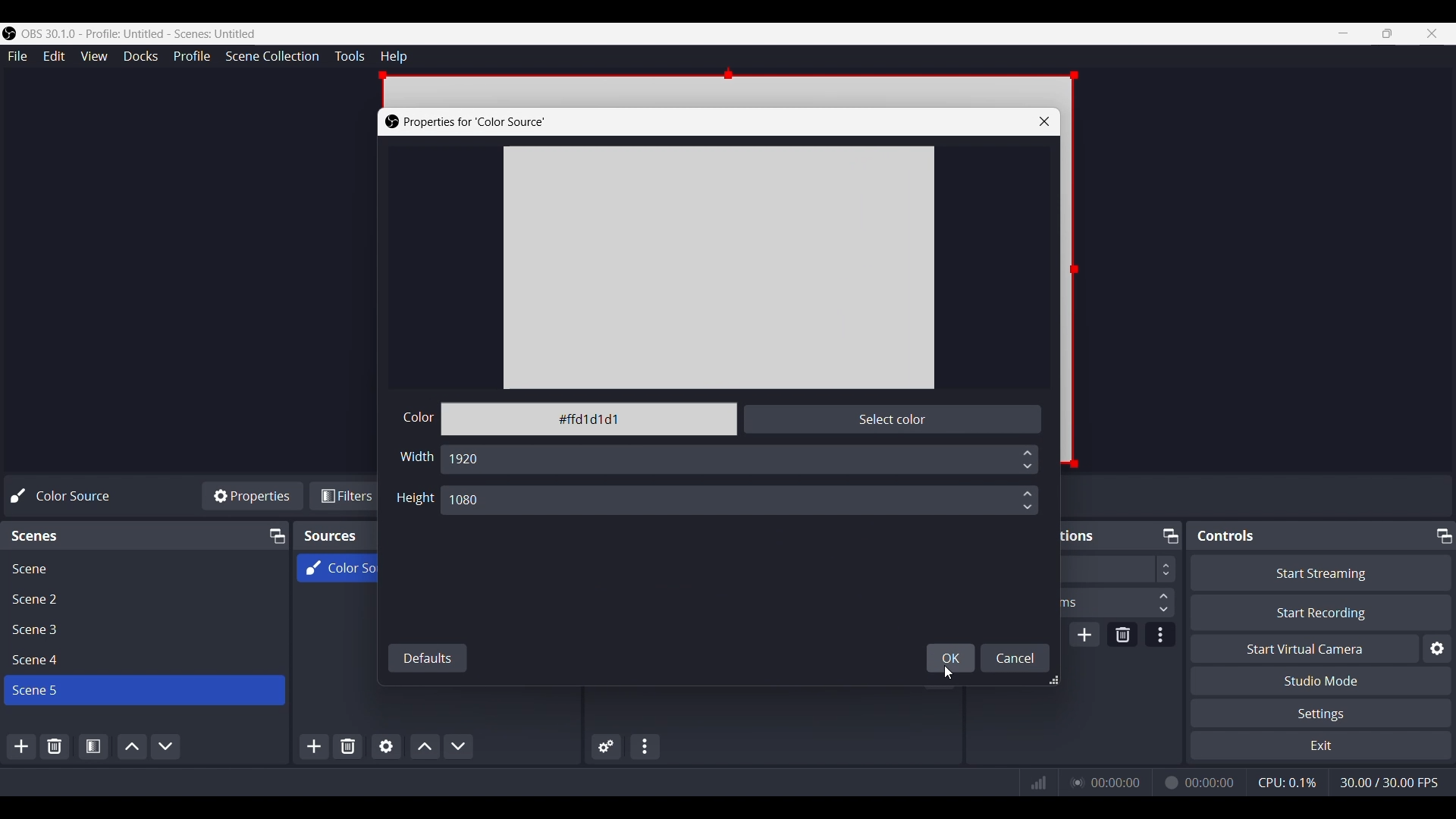 The width and height of the screenshot is (1456, 819). I want to click on Select color, so click(893, 419).